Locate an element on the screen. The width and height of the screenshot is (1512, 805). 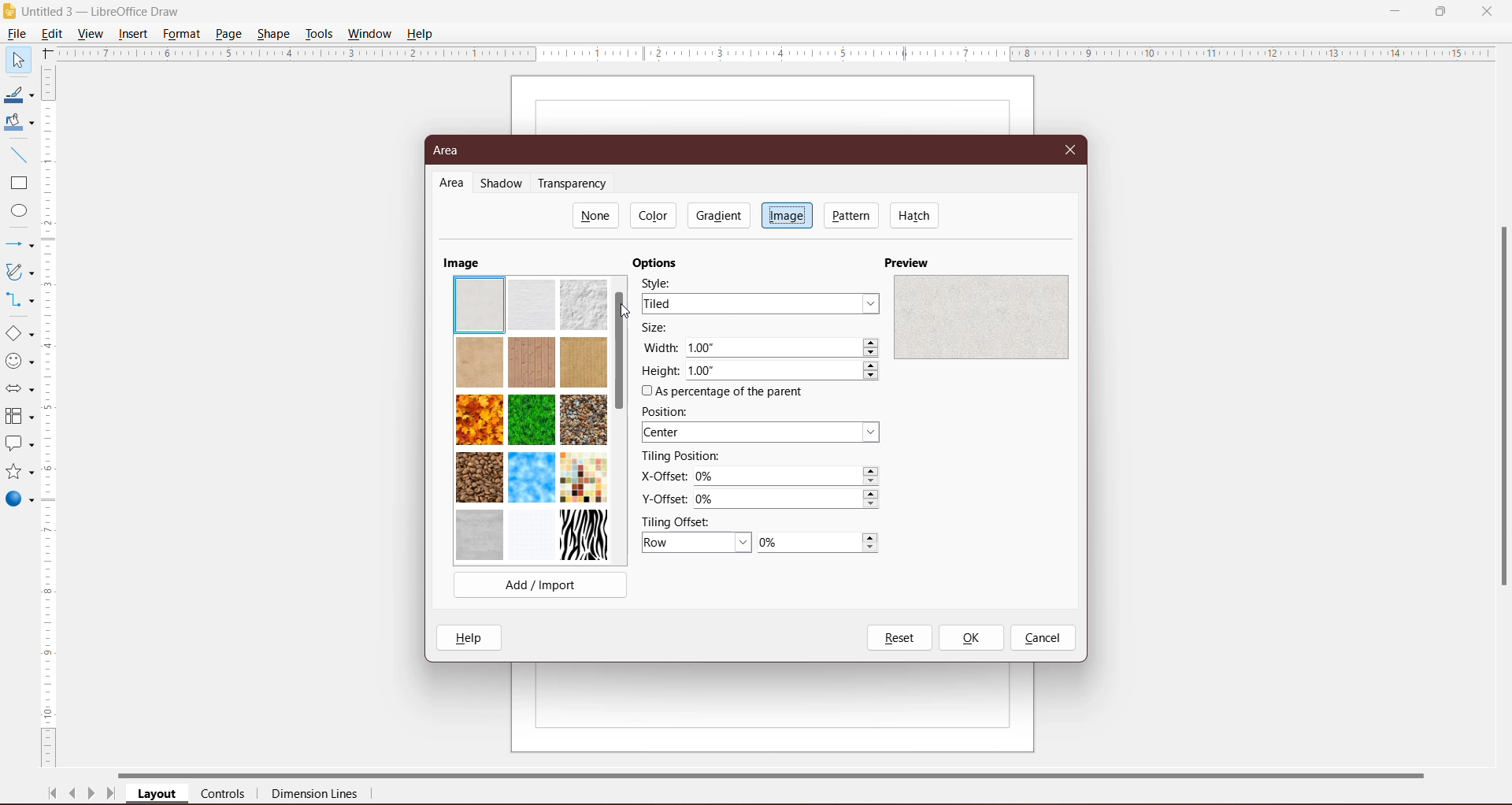
Transparency is located at coordinates (576, 184).